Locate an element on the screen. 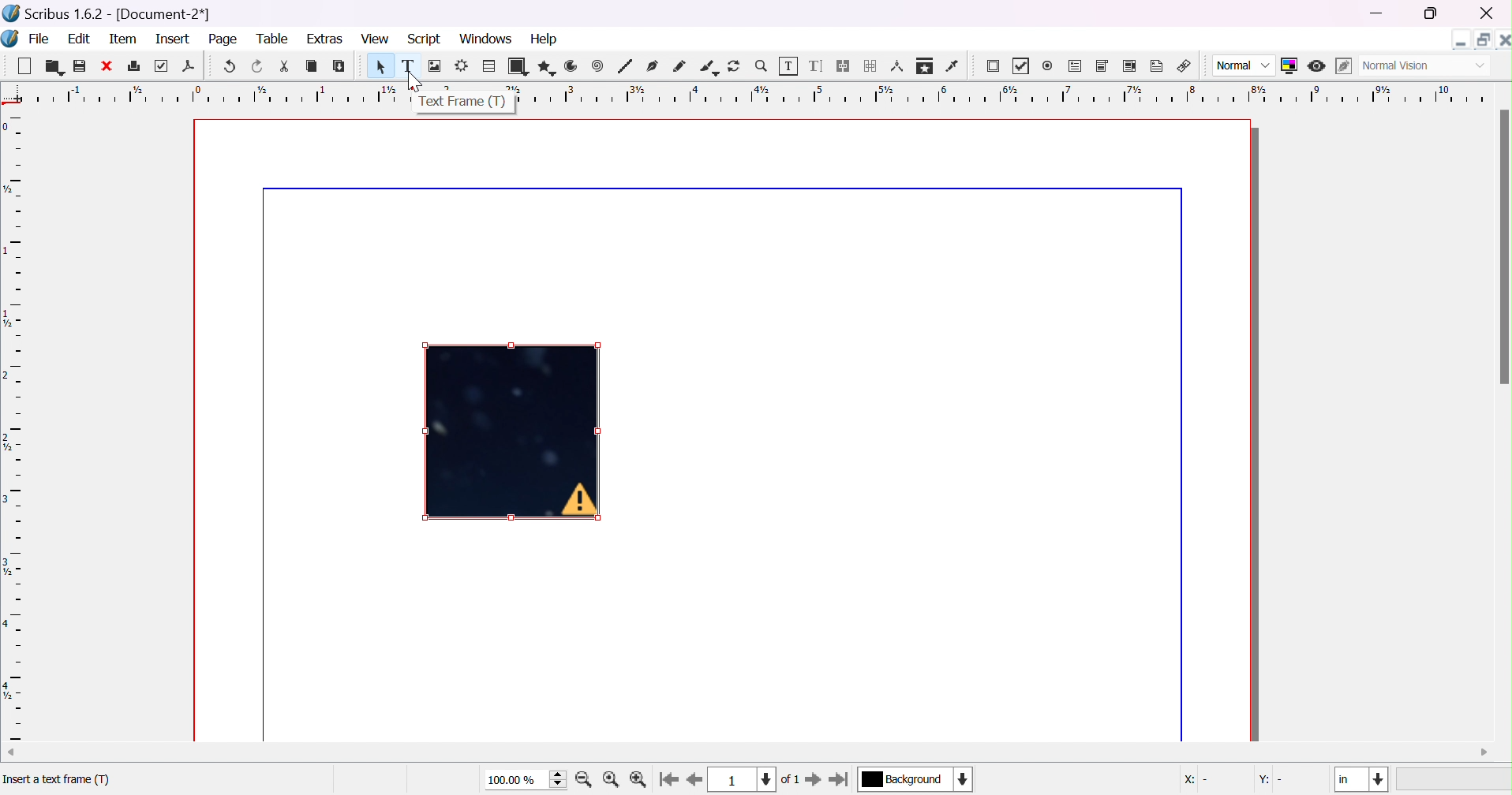 The height and width of the screenshot is (795, 1512). Inset a text frame (T) is located at coordinates (129, 782).